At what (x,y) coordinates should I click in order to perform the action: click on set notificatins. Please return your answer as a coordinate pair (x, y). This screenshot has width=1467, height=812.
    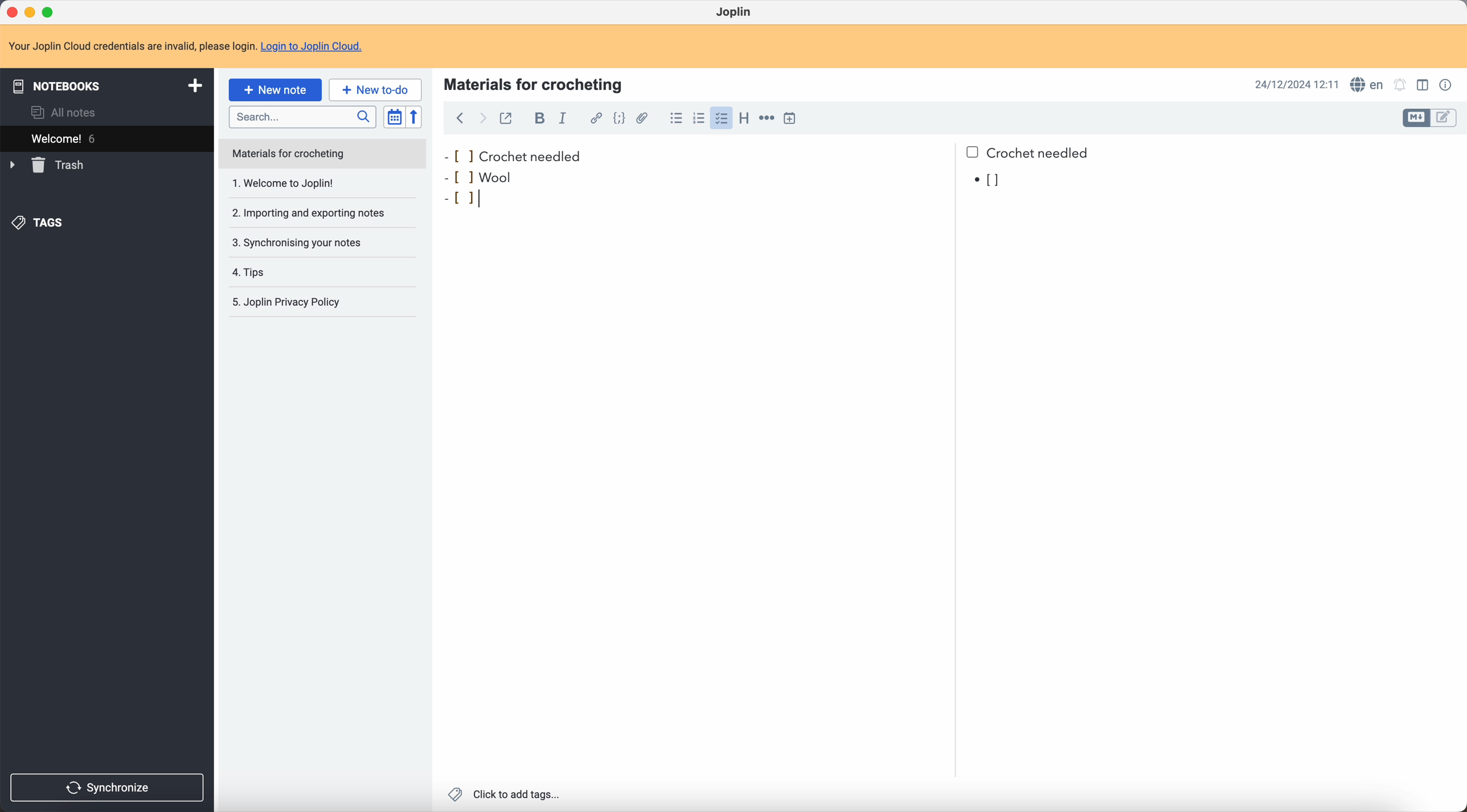
    Looking at the image, I should click on (1400, 86).